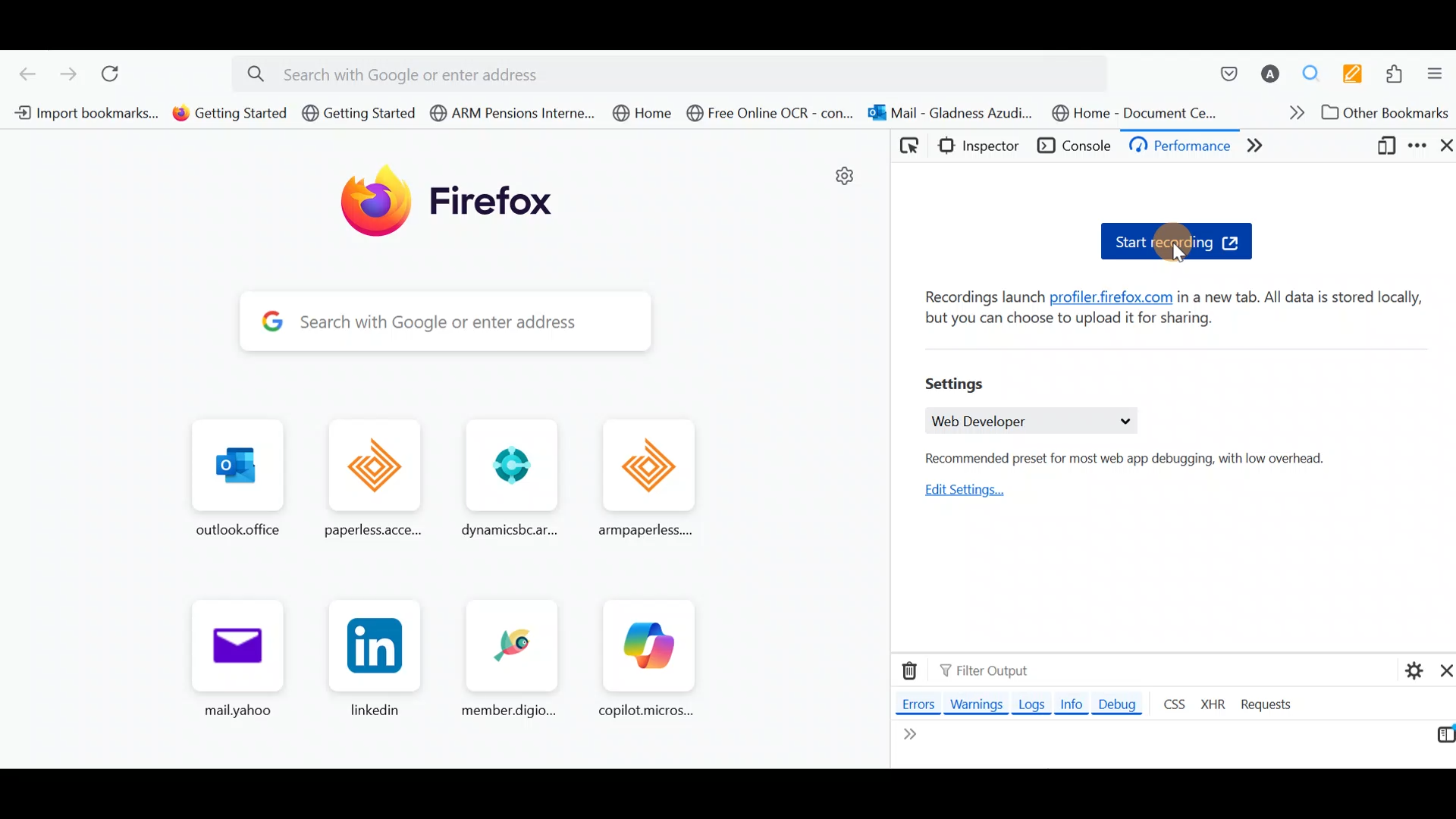 This screenshot has width=1456, height=819. I want to click on Go forward one page, so click(67, 74).